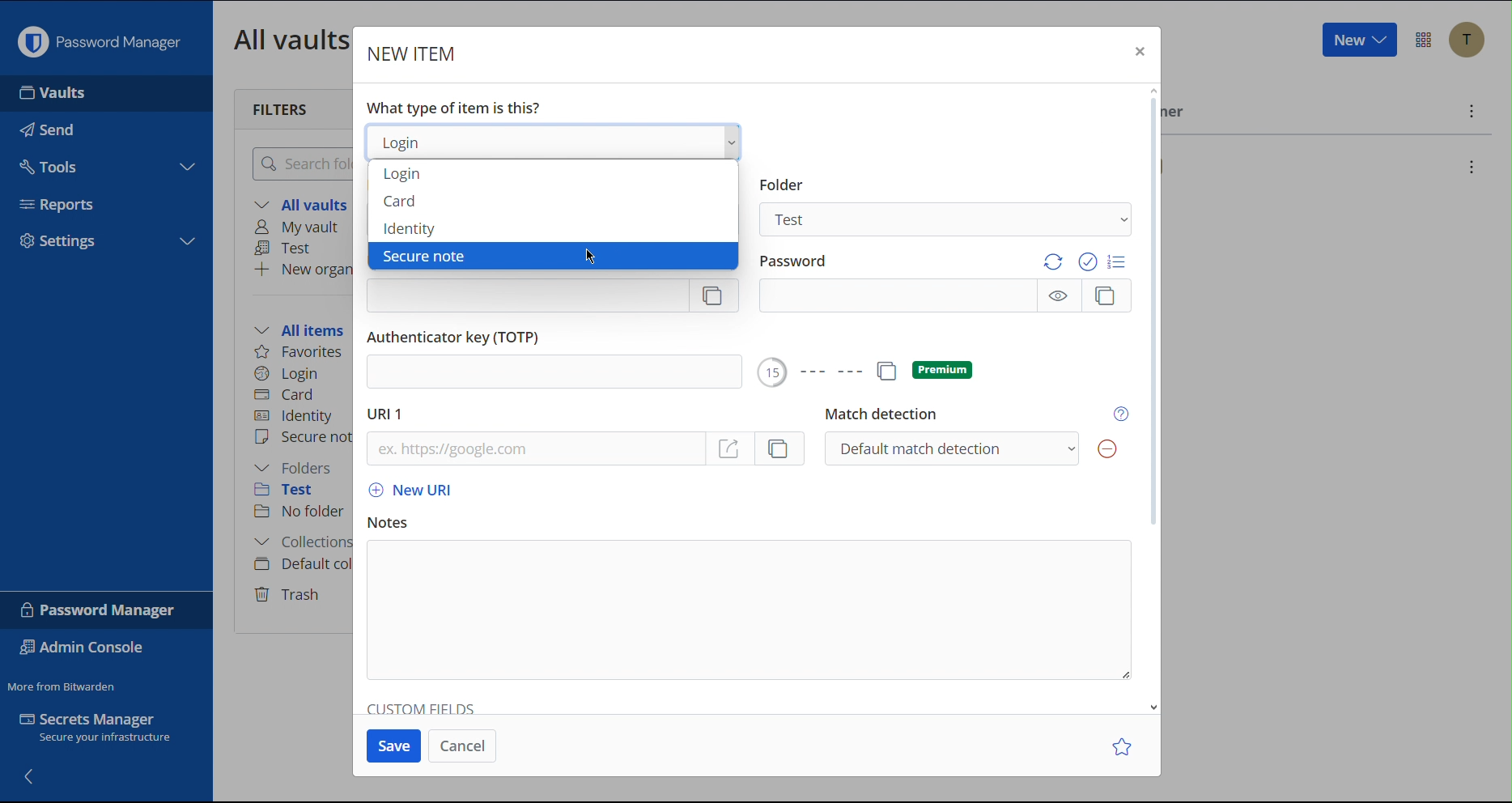  Describe the element at coordinates (462, 745) in the screenshot. I see `Cancel` at that location.